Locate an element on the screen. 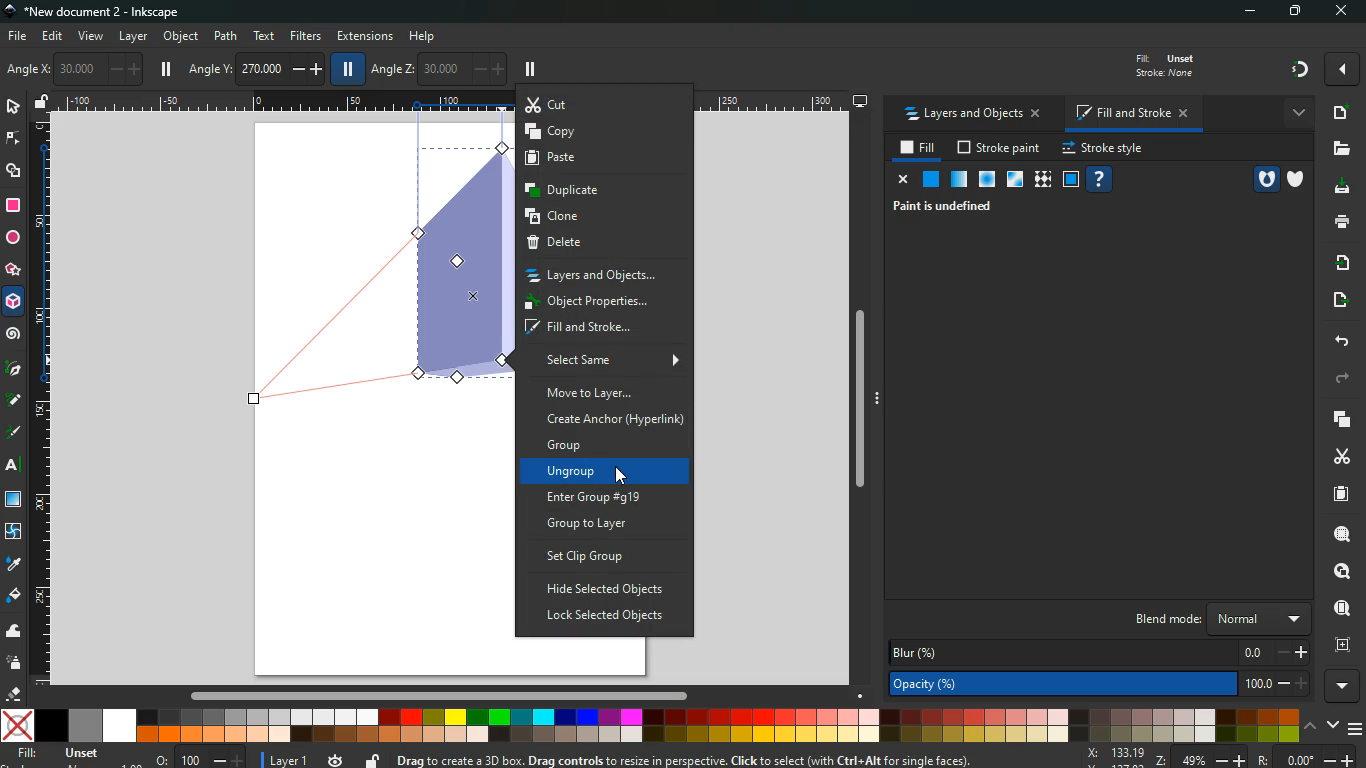 The height and width of the screenshot is (768, 1366). twist is located at coordinates (13, 533).